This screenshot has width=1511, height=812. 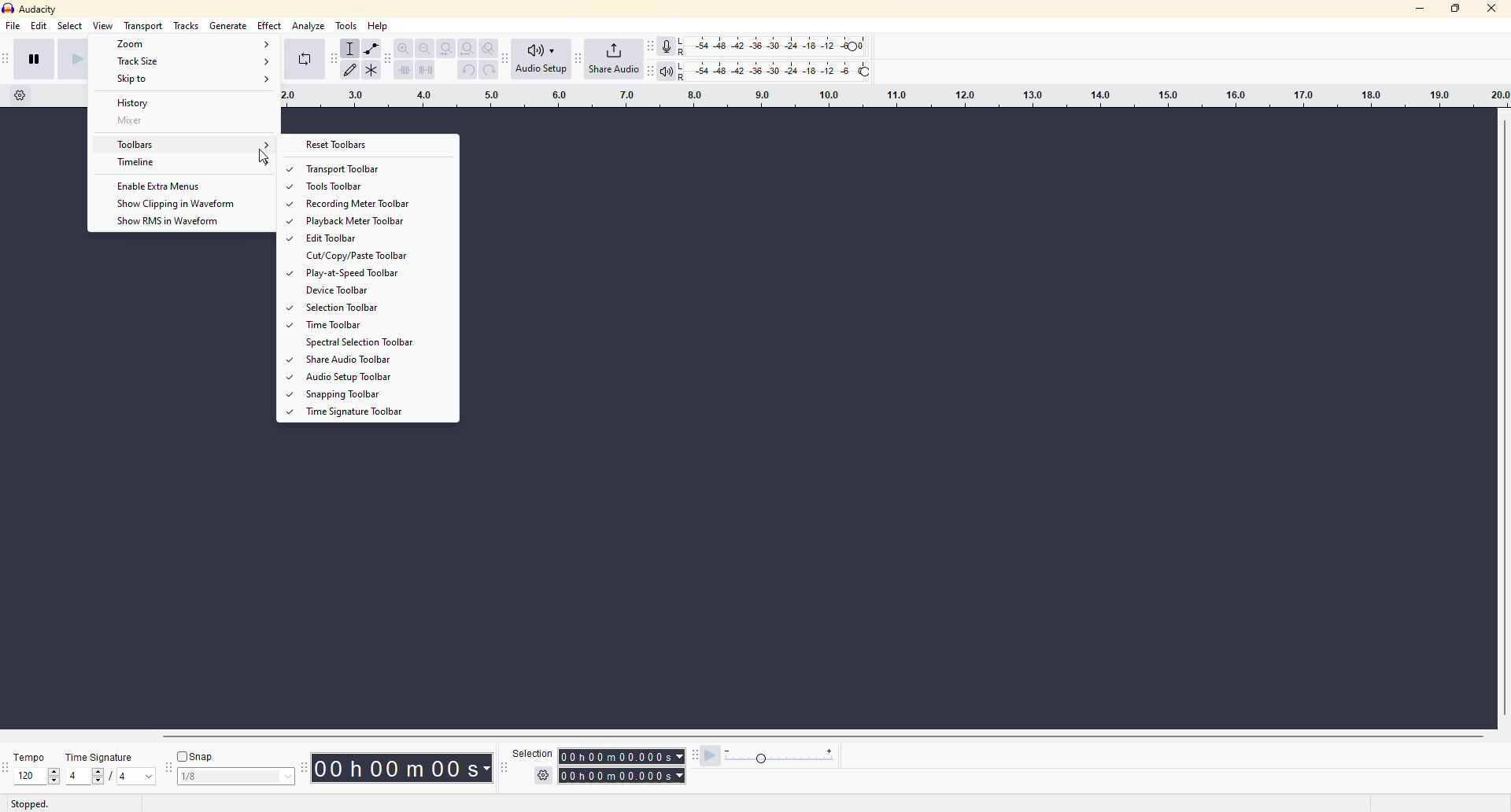 I want to click on Track Size, so click(x=196, y=62).